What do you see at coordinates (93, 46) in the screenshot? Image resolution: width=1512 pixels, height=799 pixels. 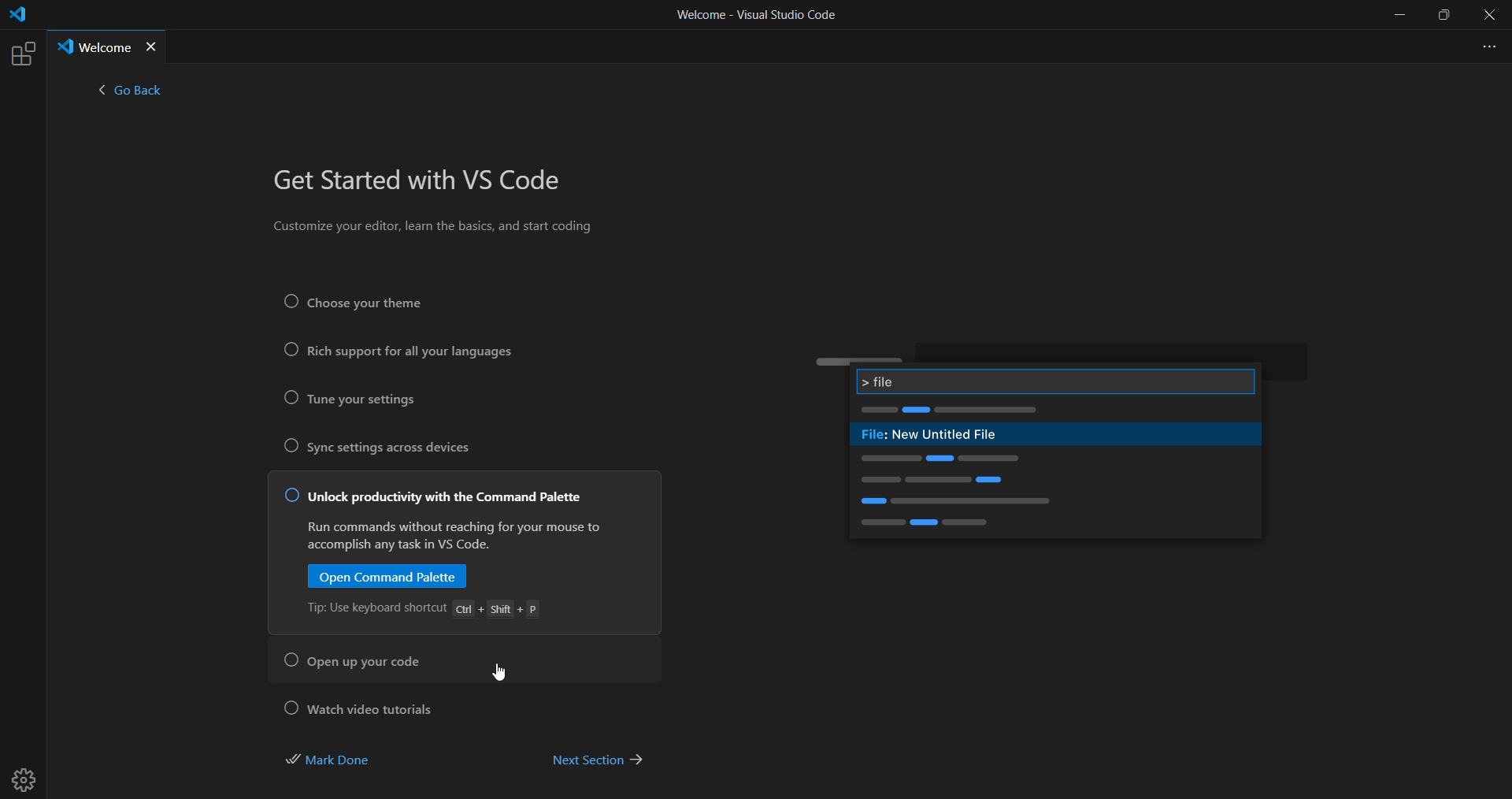 I see `Welcome` at bounding box center [93, 46].